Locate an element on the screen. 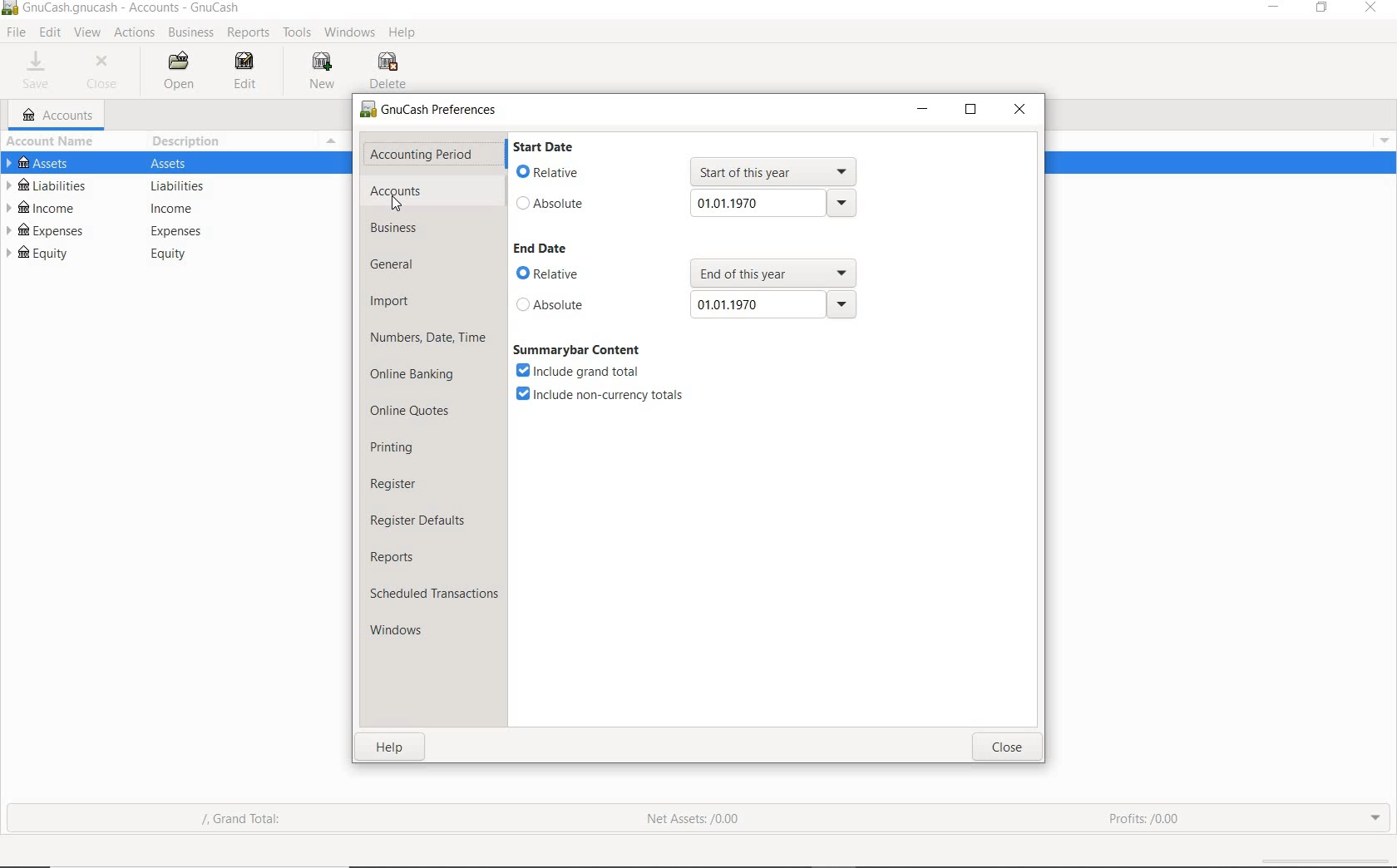 This screenshot has height=868, width=1397.  is located at coordinates (181, 231).